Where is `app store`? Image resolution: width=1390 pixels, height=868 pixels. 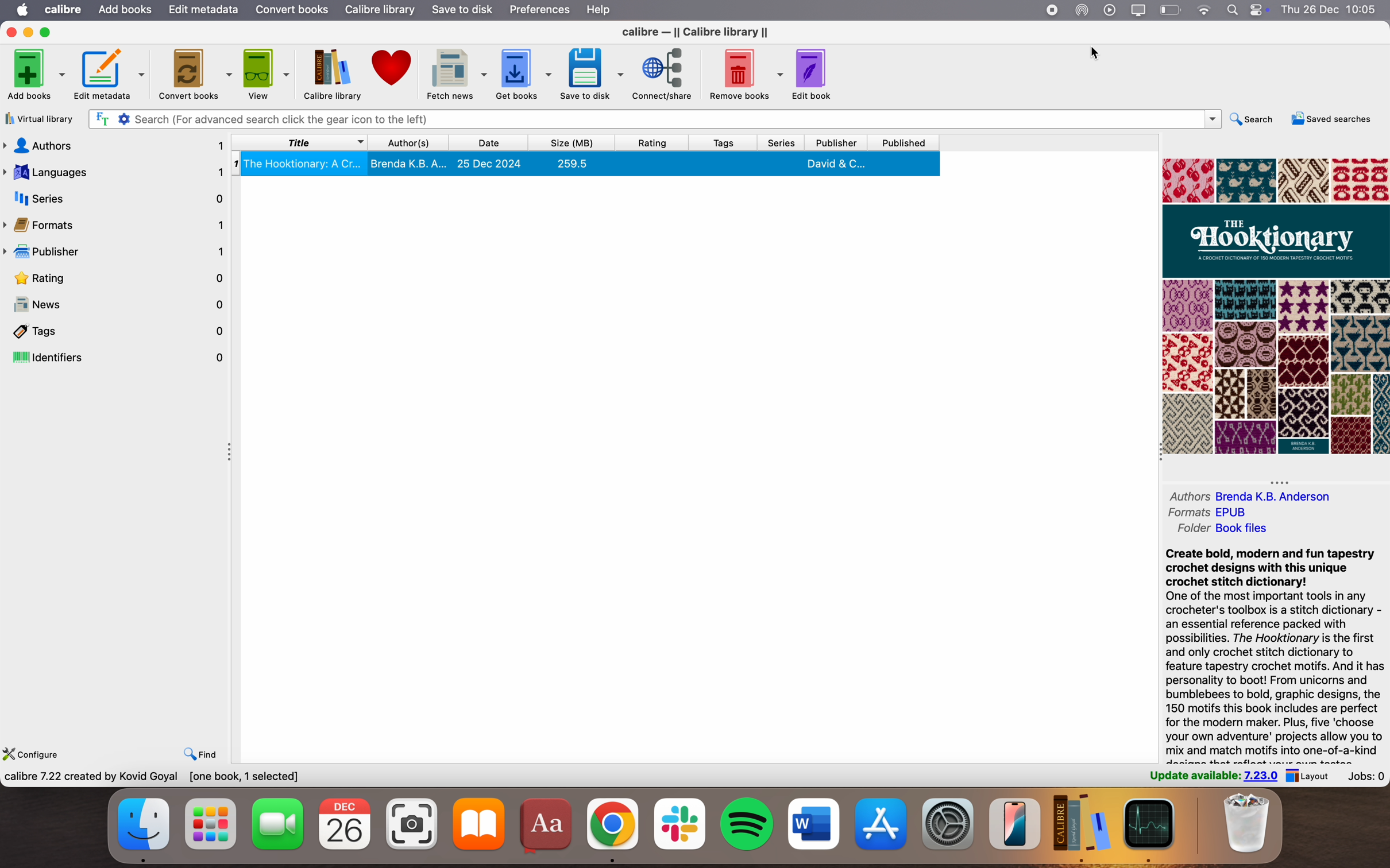 app store is located at coordinates (881, 820).